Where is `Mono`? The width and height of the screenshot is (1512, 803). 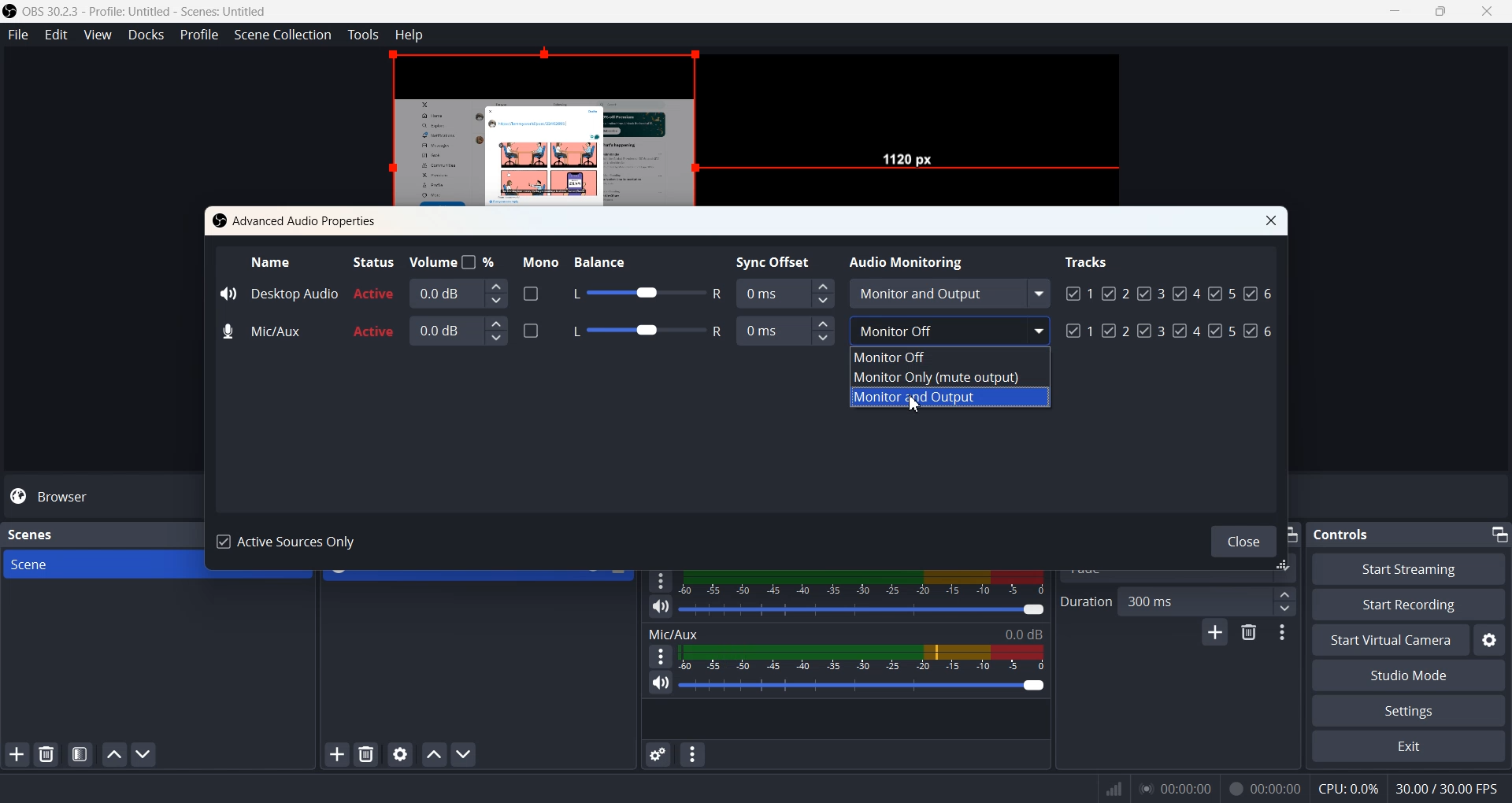
Mono is located at coordinates (536, 260).